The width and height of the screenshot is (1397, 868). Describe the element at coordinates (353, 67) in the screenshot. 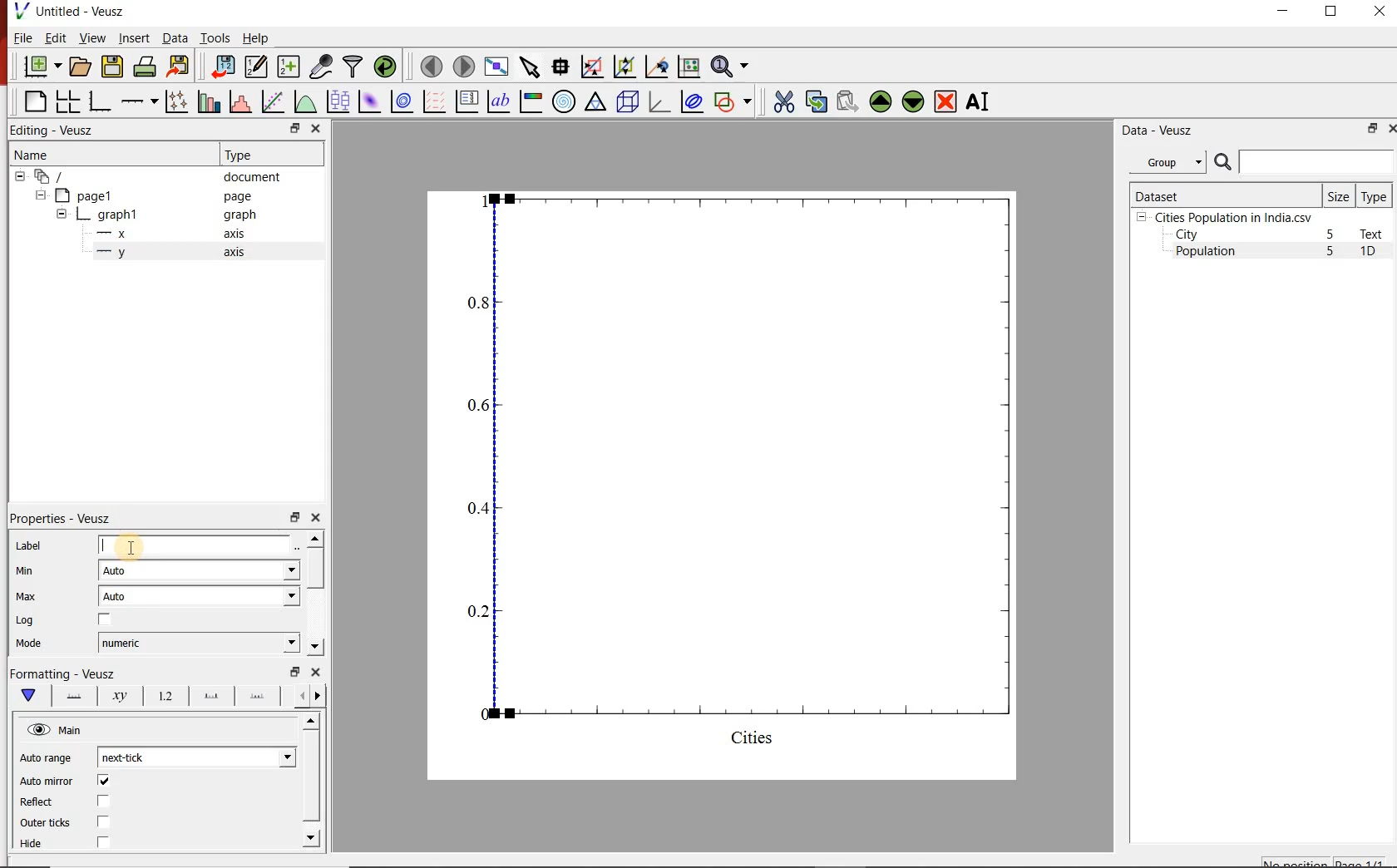

I see `filter data` at that location.